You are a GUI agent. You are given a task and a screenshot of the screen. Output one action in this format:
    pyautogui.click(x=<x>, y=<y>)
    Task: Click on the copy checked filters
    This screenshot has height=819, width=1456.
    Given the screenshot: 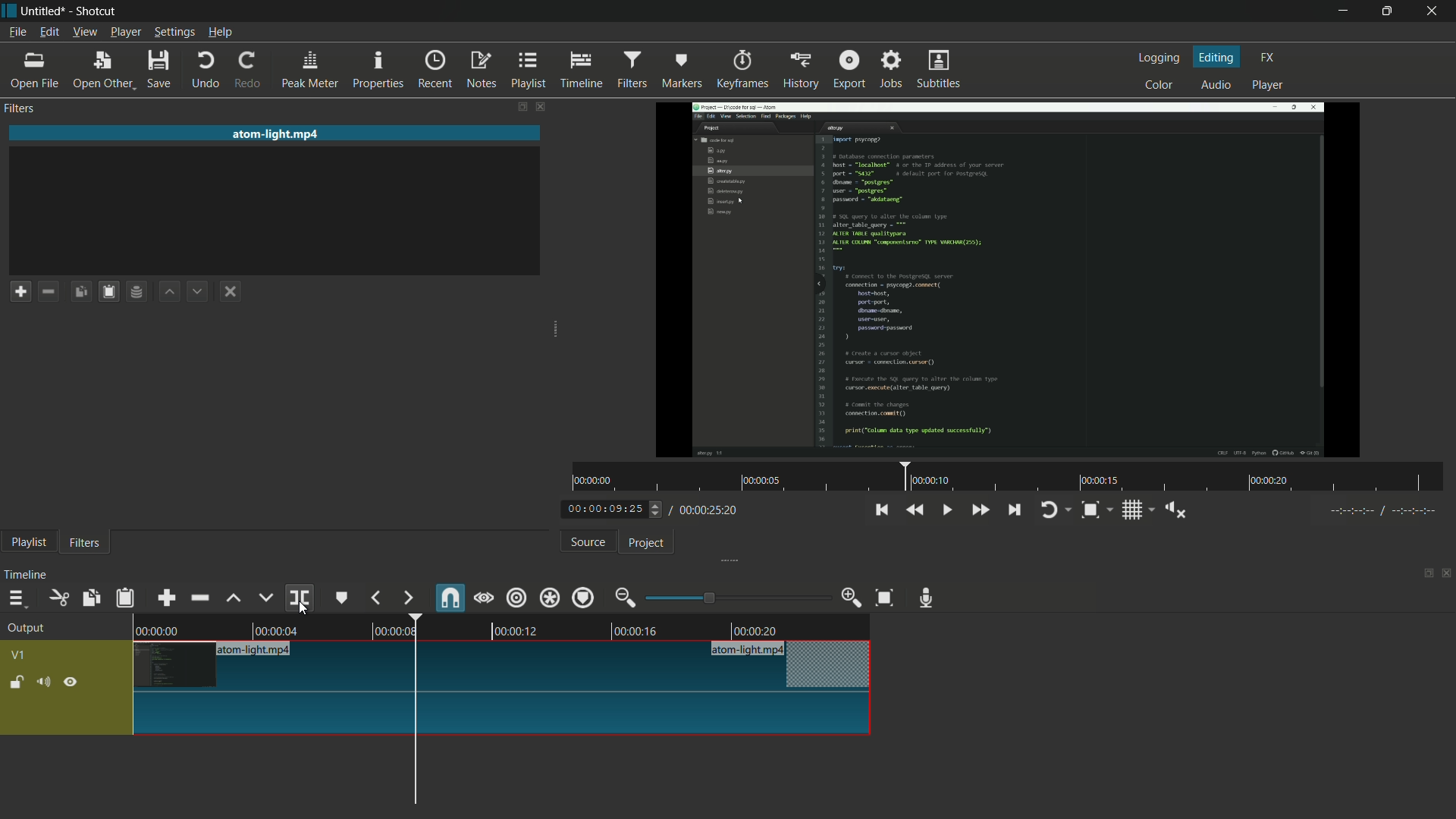 What is the action you would take?
    pyautogui.click(x=84, y=290)
    